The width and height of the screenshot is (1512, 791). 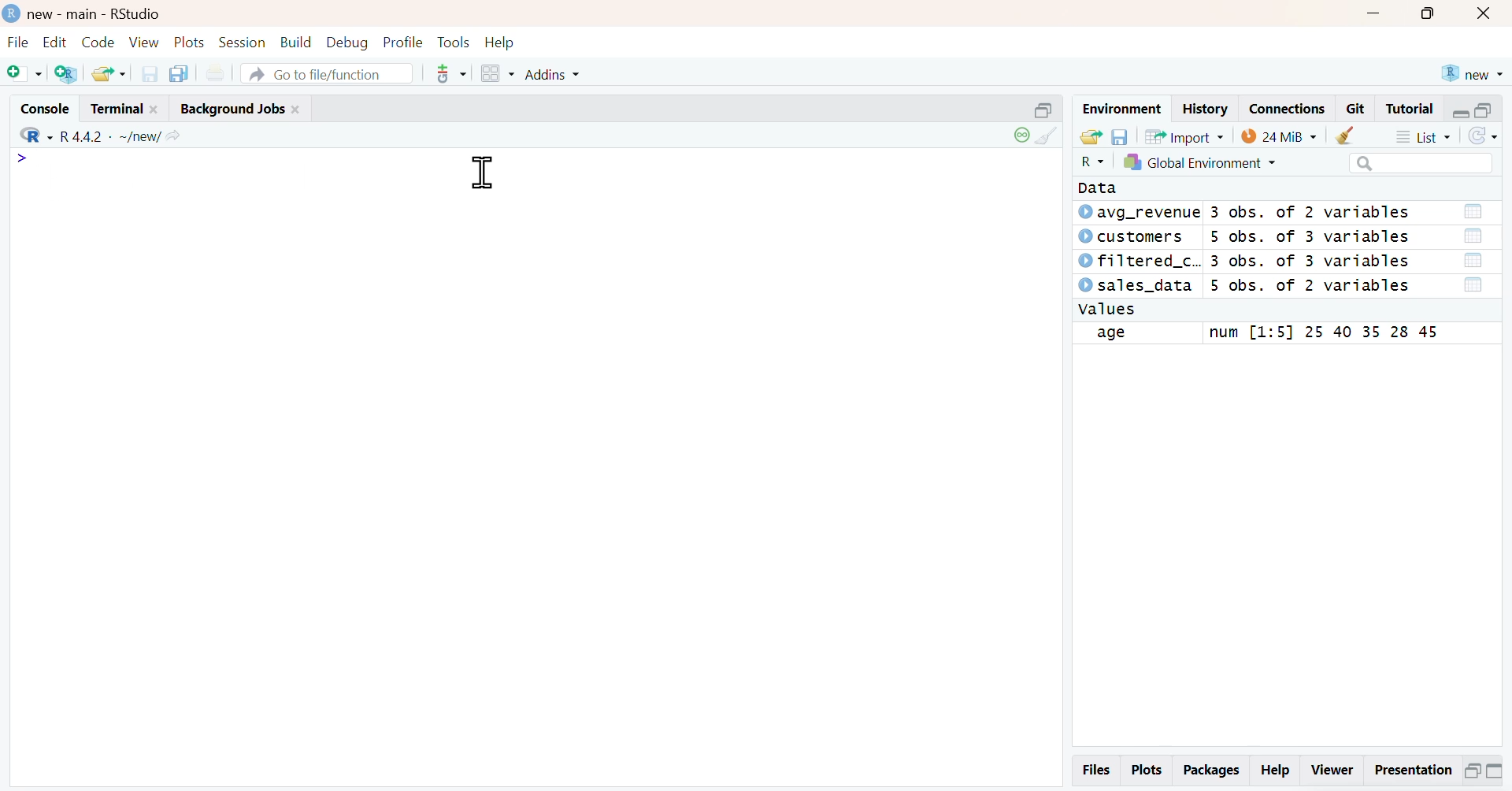 What do you see at coordinates (1412, 772) in the screenshot?
I see `Presentation` at bounding box center [1412, 772].